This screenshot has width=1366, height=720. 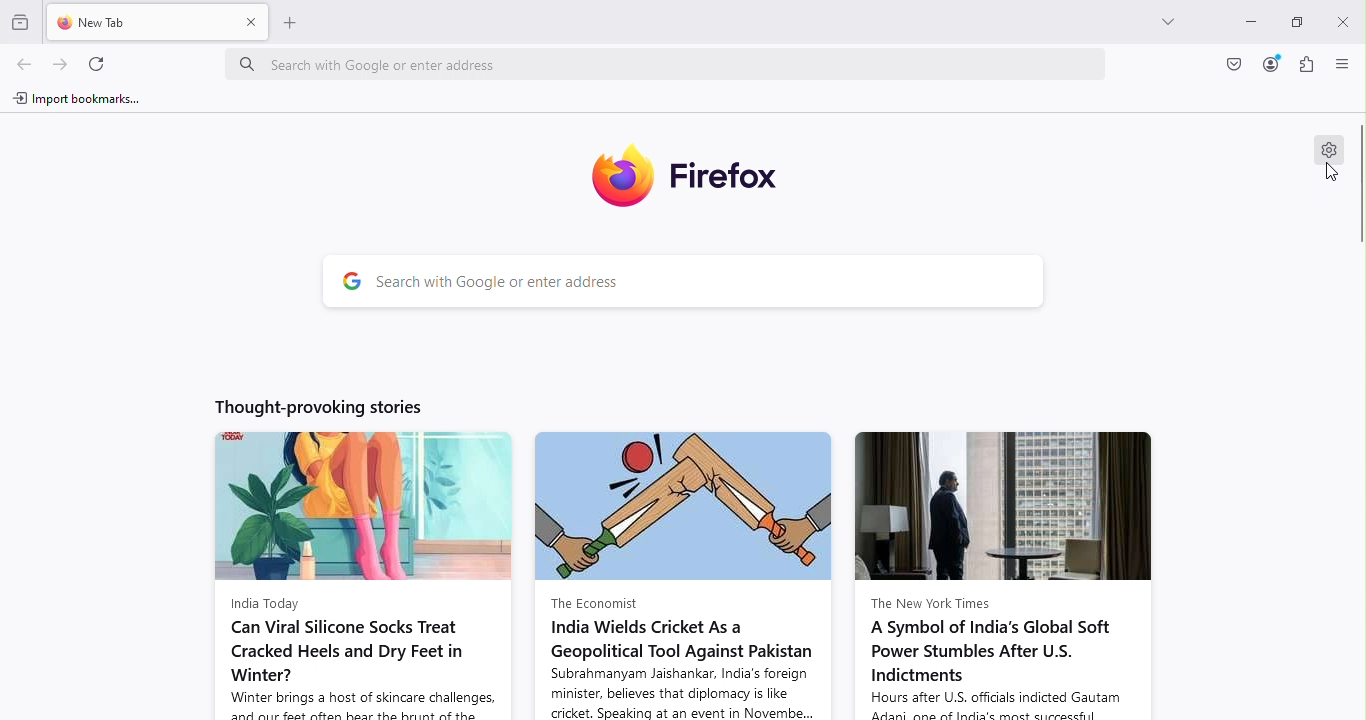 I want to click on Account, so click(x=1231, y=65).